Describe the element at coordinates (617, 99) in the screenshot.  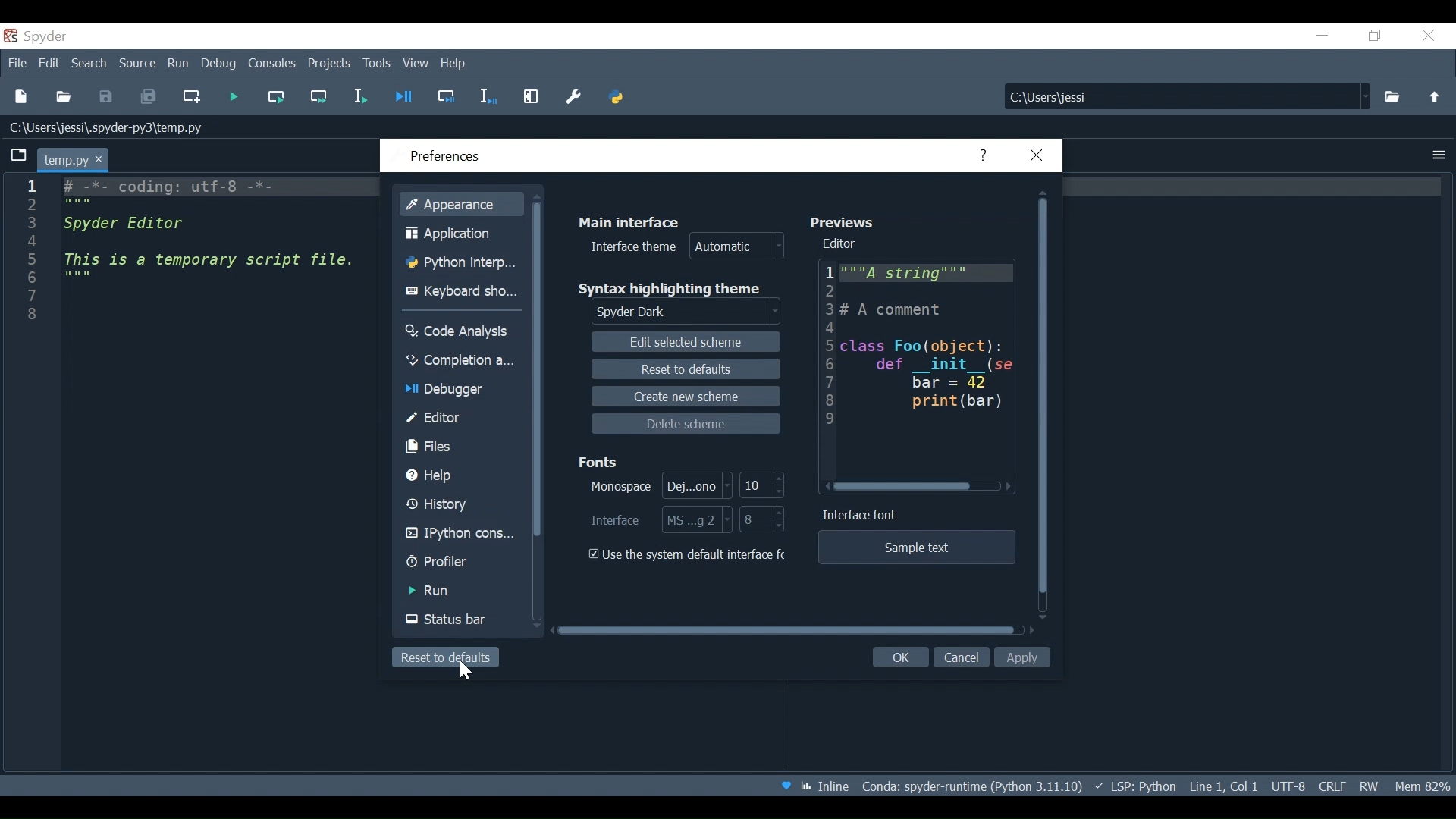
I see `PYTHONPATH Manager` at that location.